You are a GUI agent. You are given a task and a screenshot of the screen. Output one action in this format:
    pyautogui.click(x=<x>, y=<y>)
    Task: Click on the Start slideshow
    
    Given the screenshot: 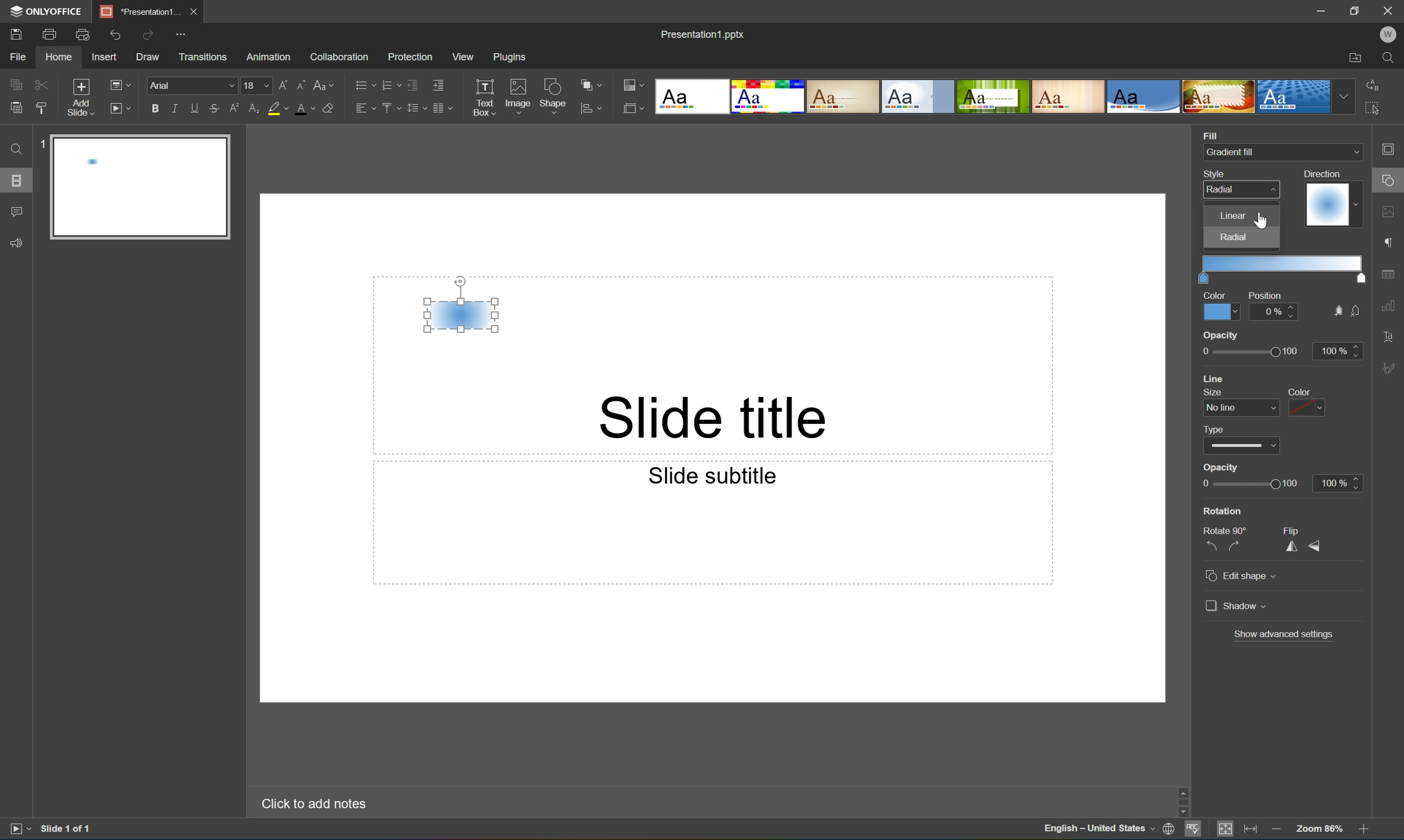 What is the action you would take?
    pyautogui.click(x=19, y=828)
    